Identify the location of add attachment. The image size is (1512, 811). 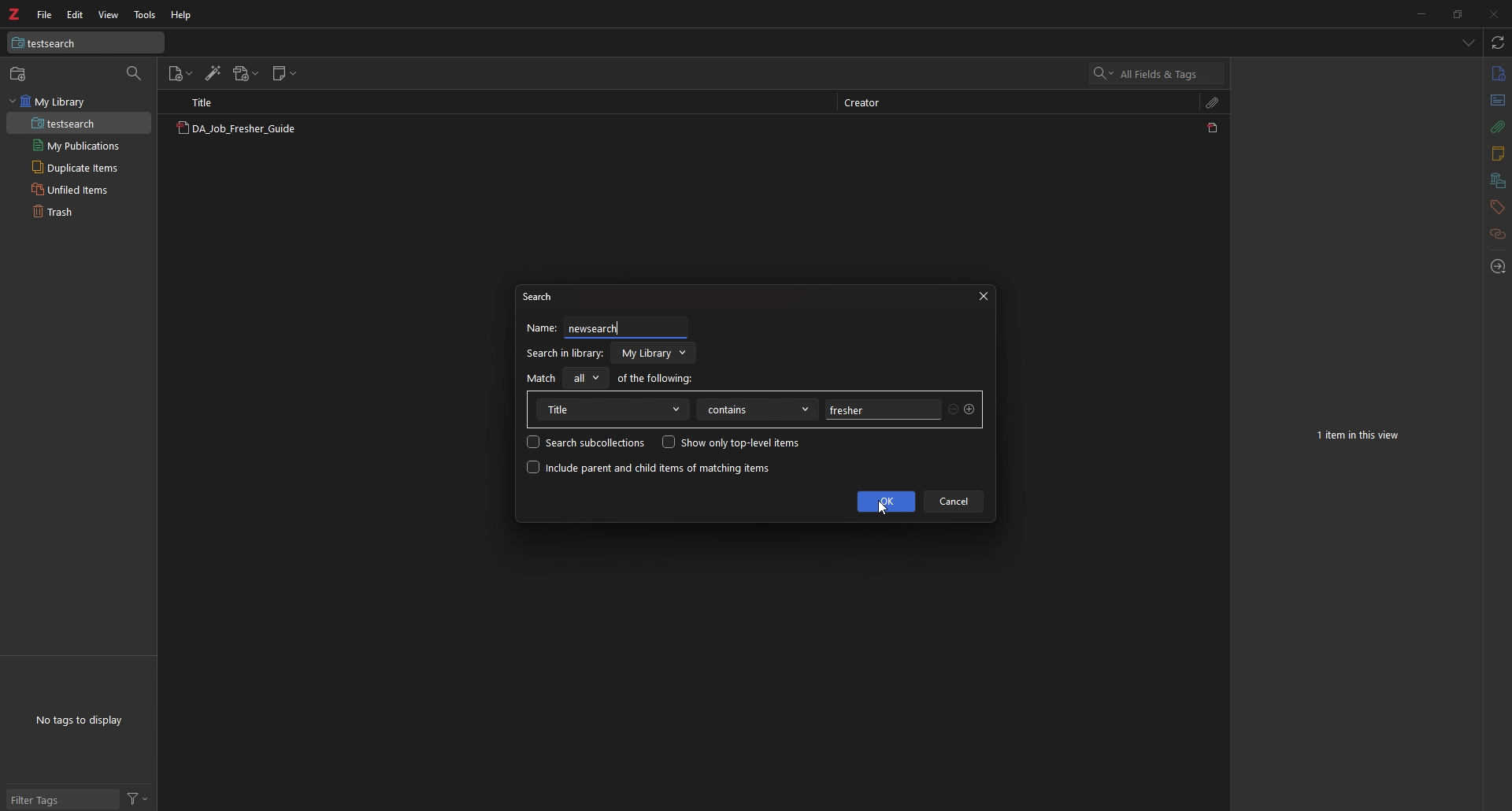
(246, 73).